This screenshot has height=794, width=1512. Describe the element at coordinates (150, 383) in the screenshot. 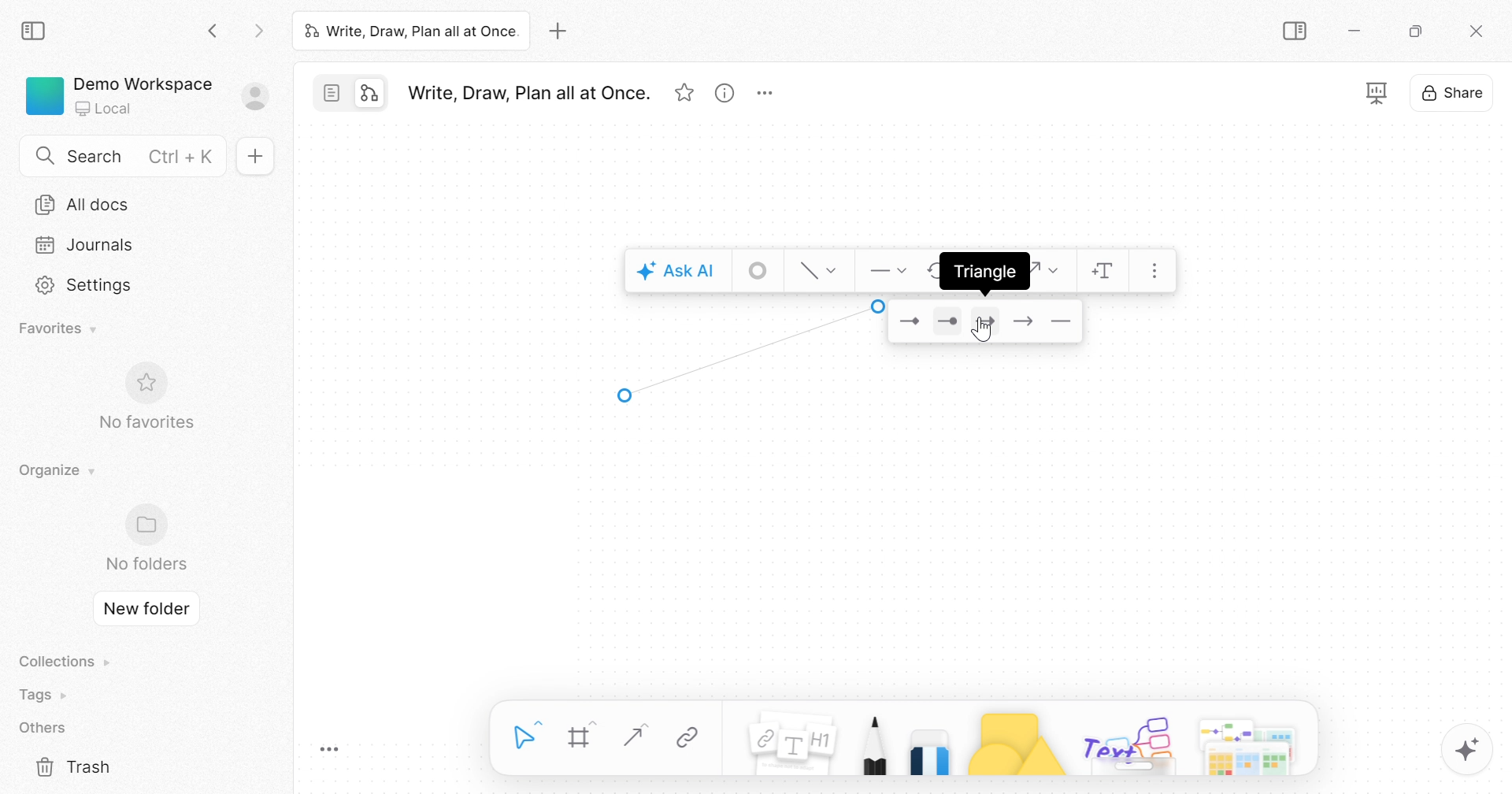

I see `Favorite icon` at that location.